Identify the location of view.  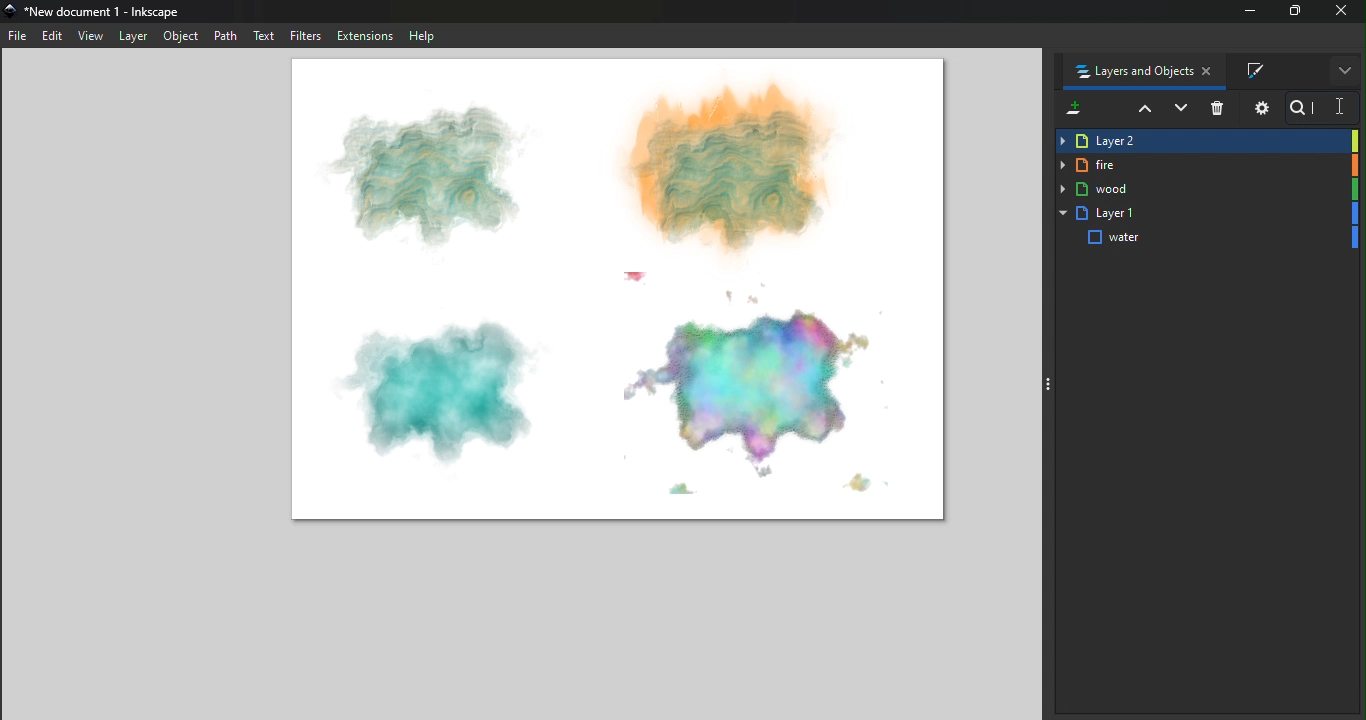
(91, 38).